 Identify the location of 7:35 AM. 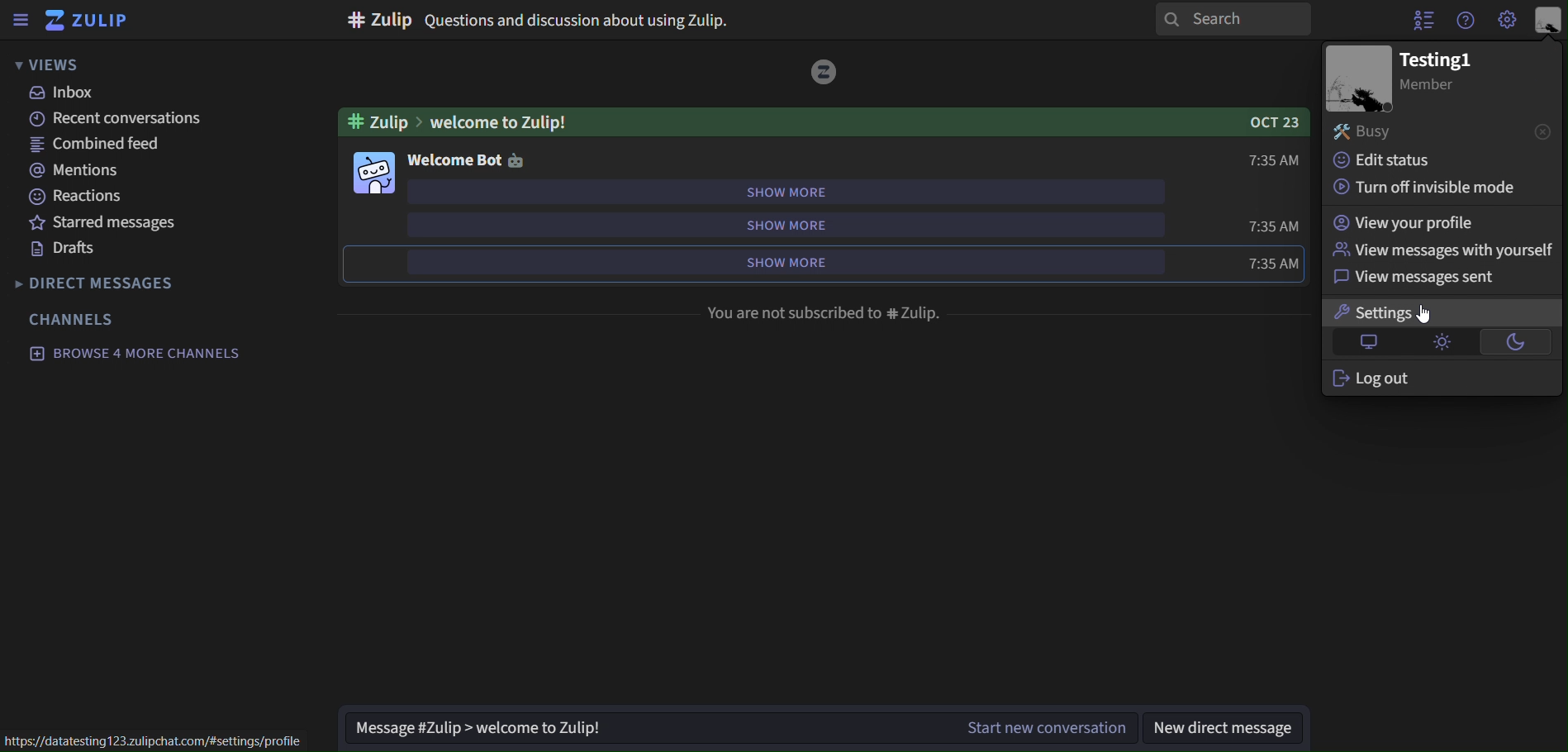
(1276, 160).